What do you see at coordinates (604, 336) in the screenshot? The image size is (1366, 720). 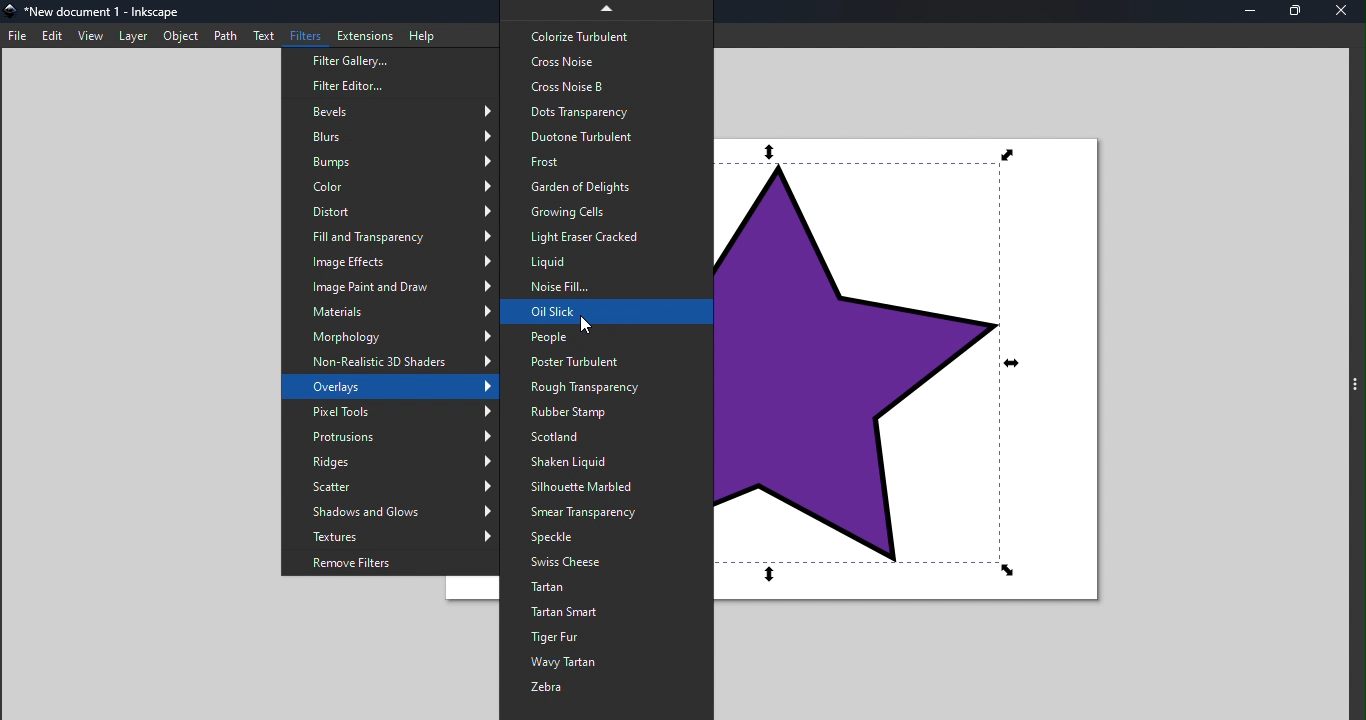 I see `People ` at bounding box center [604, 336].